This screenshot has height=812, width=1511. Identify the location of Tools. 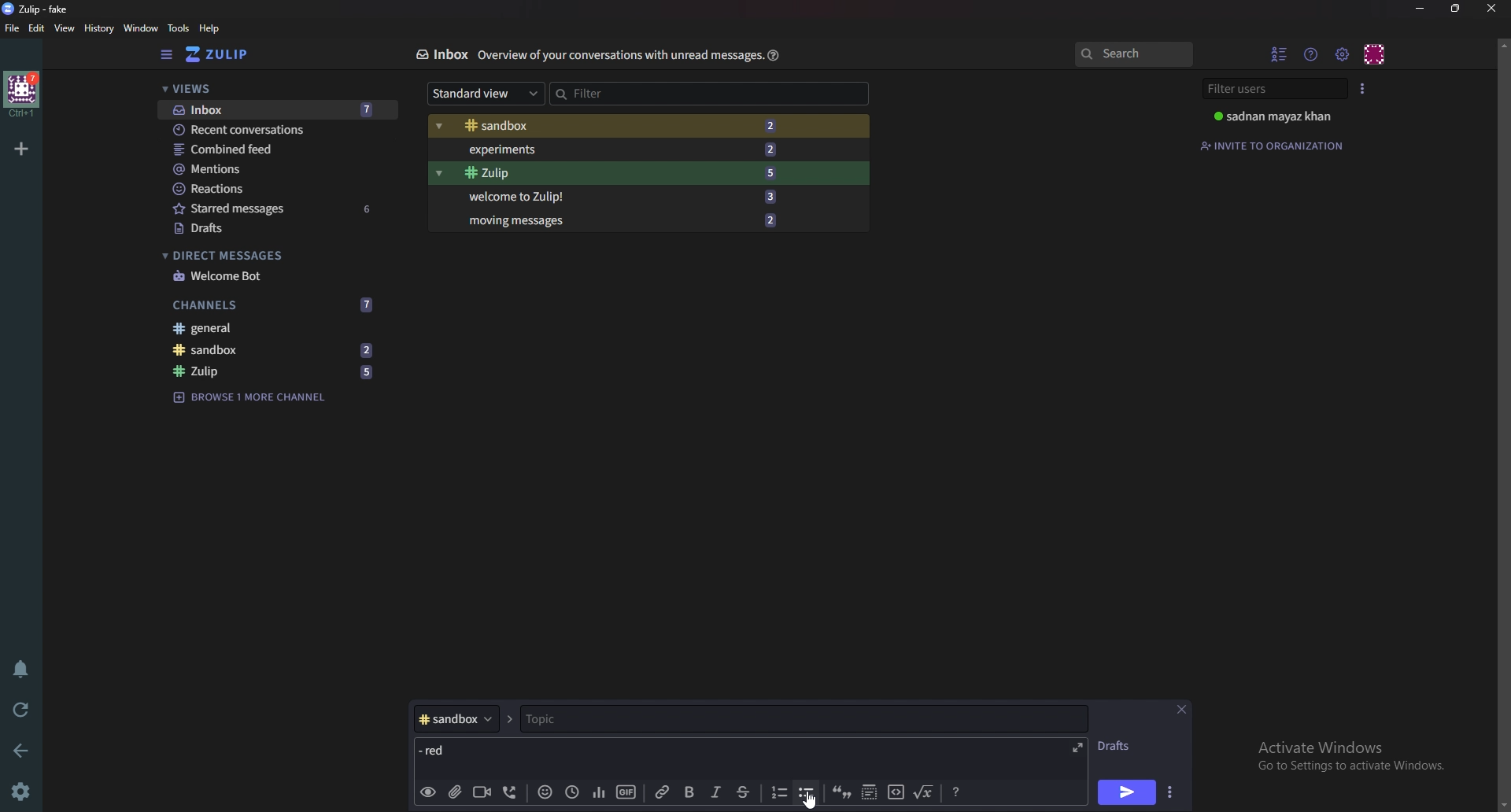
(179, 28).